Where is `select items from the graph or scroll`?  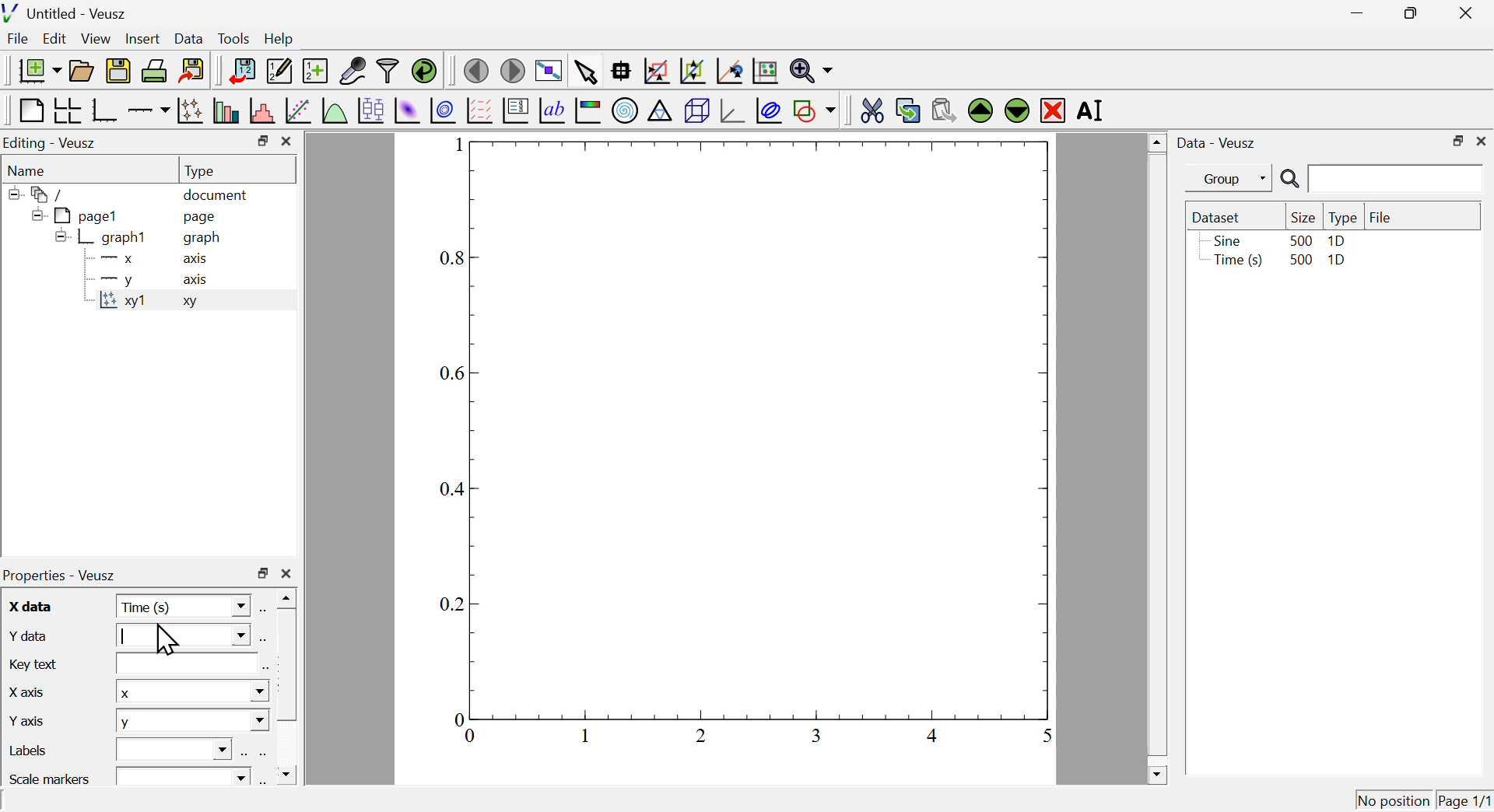 select items from the graph or scroll is located at coordinates (585, 71).